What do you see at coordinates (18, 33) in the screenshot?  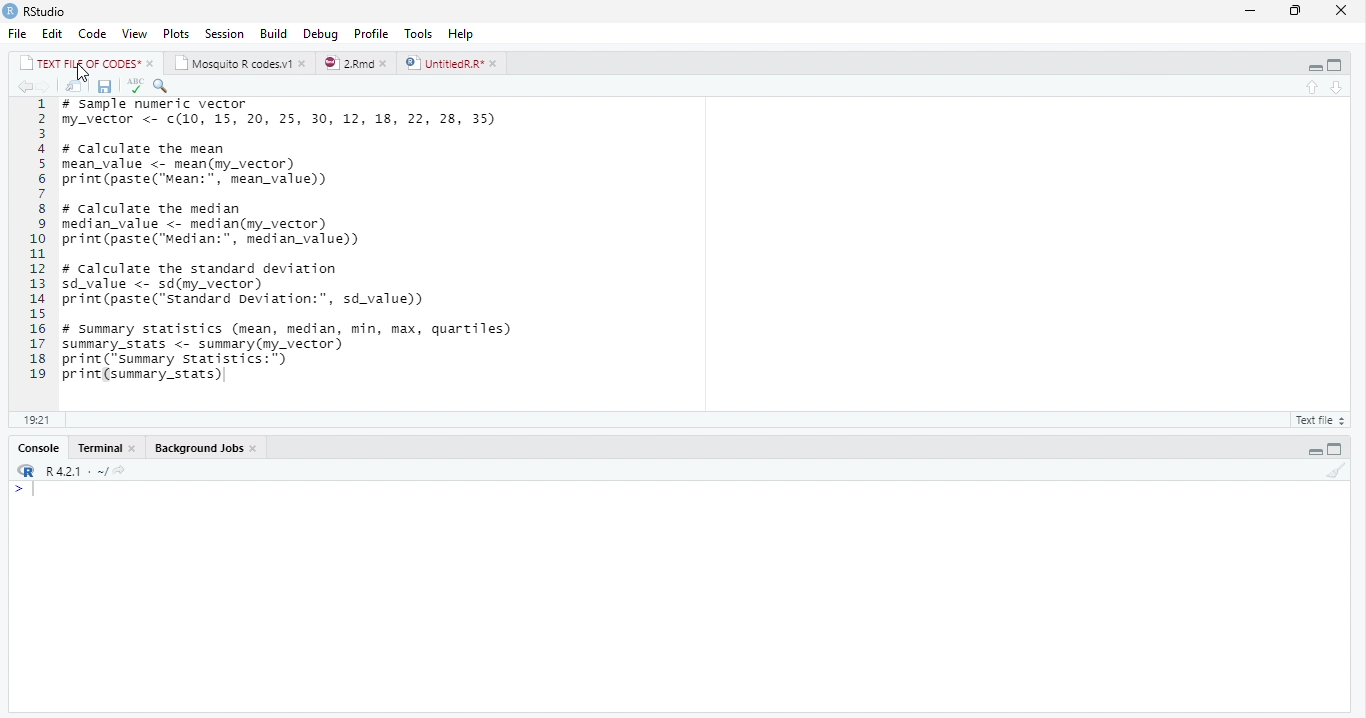 I see `file` at bounding box center [18, 33].